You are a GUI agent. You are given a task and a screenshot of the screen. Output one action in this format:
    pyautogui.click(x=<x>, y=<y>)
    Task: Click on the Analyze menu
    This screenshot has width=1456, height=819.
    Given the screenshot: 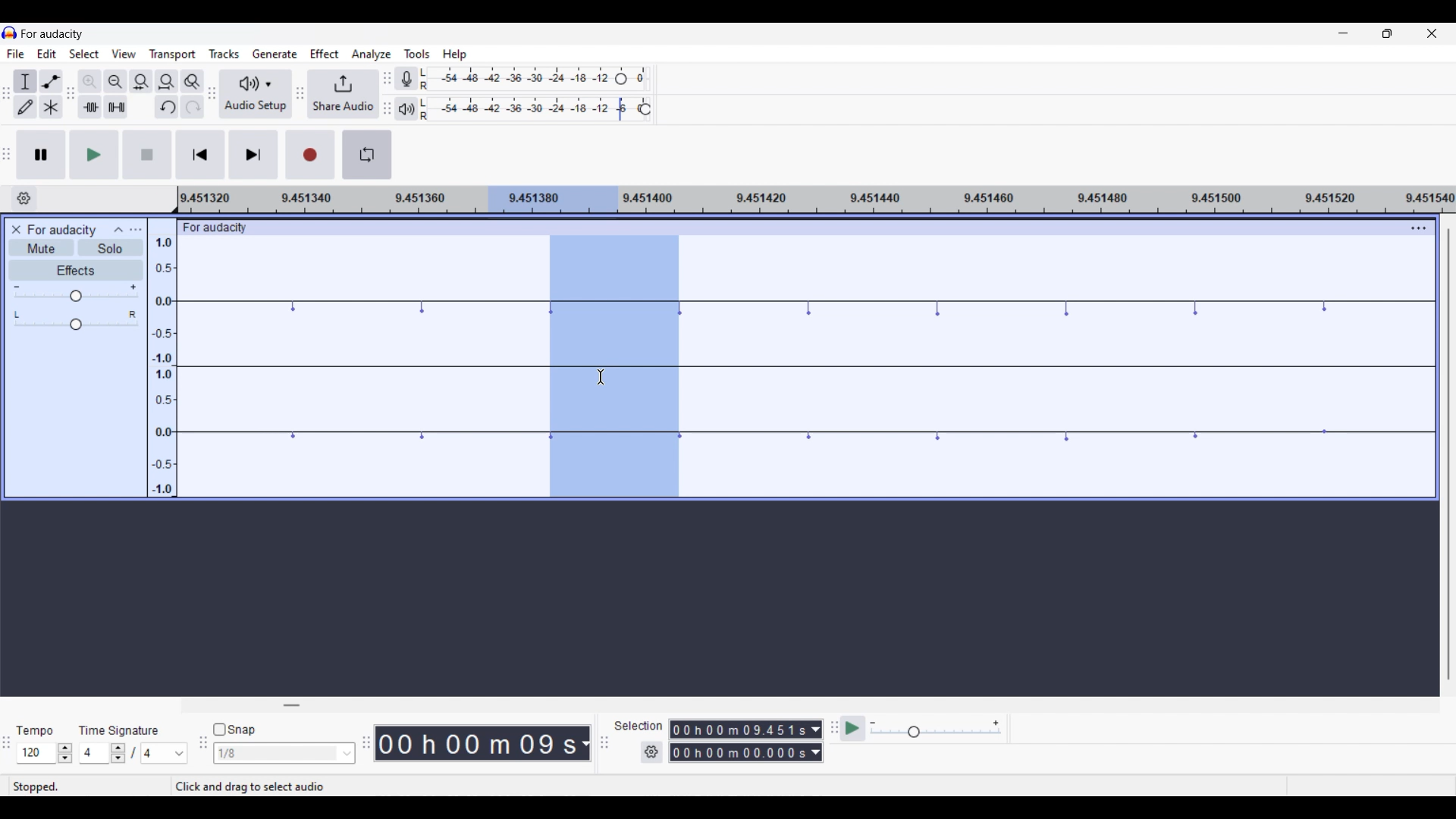 What is the action you would take?
    pyautogui.click(x=373, y=55)
    